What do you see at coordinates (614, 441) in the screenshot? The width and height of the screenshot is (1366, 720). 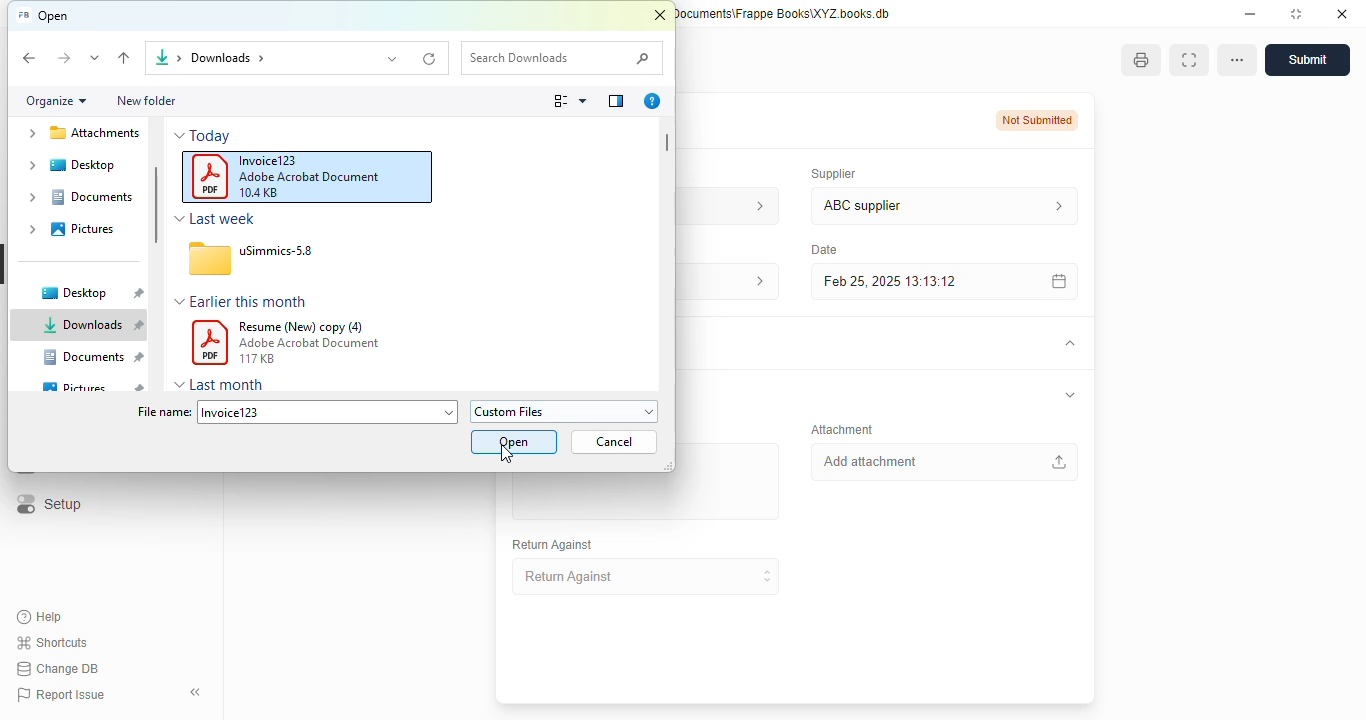 I see `cancel` at bounding box center [614, 441].